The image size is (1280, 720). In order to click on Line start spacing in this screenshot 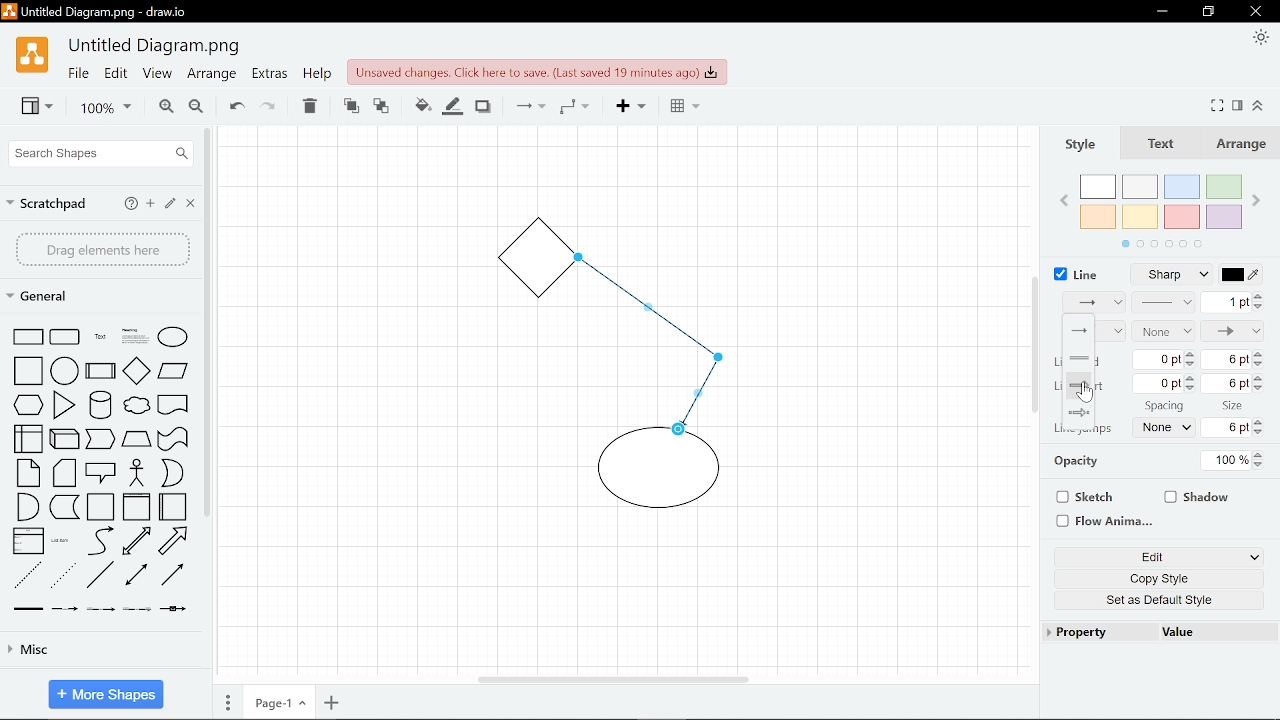, I will do `click(1230, 384)`.